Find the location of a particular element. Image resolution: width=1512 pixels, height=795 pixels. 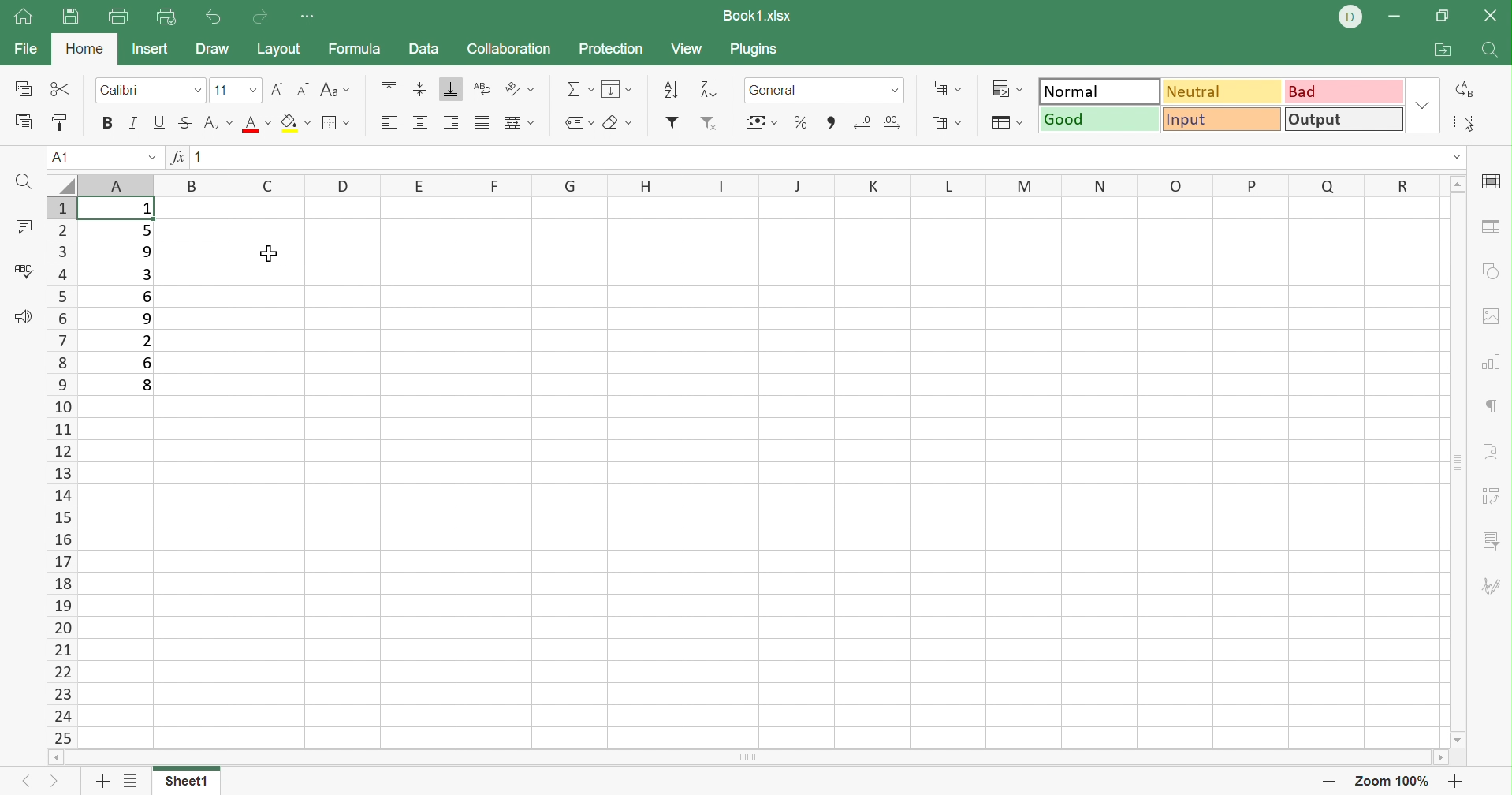

5 is located at coordinates (147, 230).